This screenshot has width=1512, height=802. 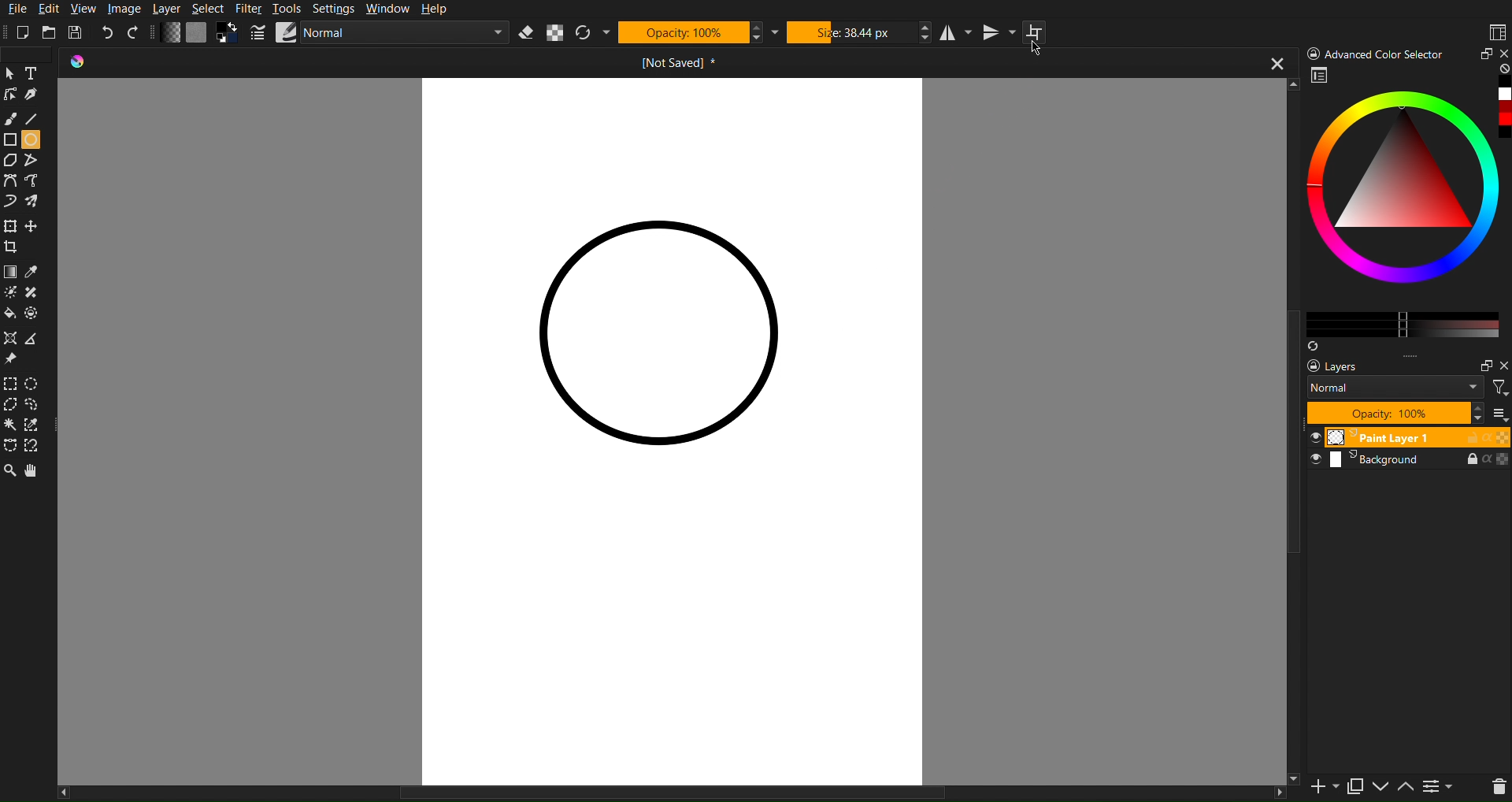 What do you see at coordinates (9, 225) in the screenshot?
I see `Move Tools` at bounding box center [9, 225].